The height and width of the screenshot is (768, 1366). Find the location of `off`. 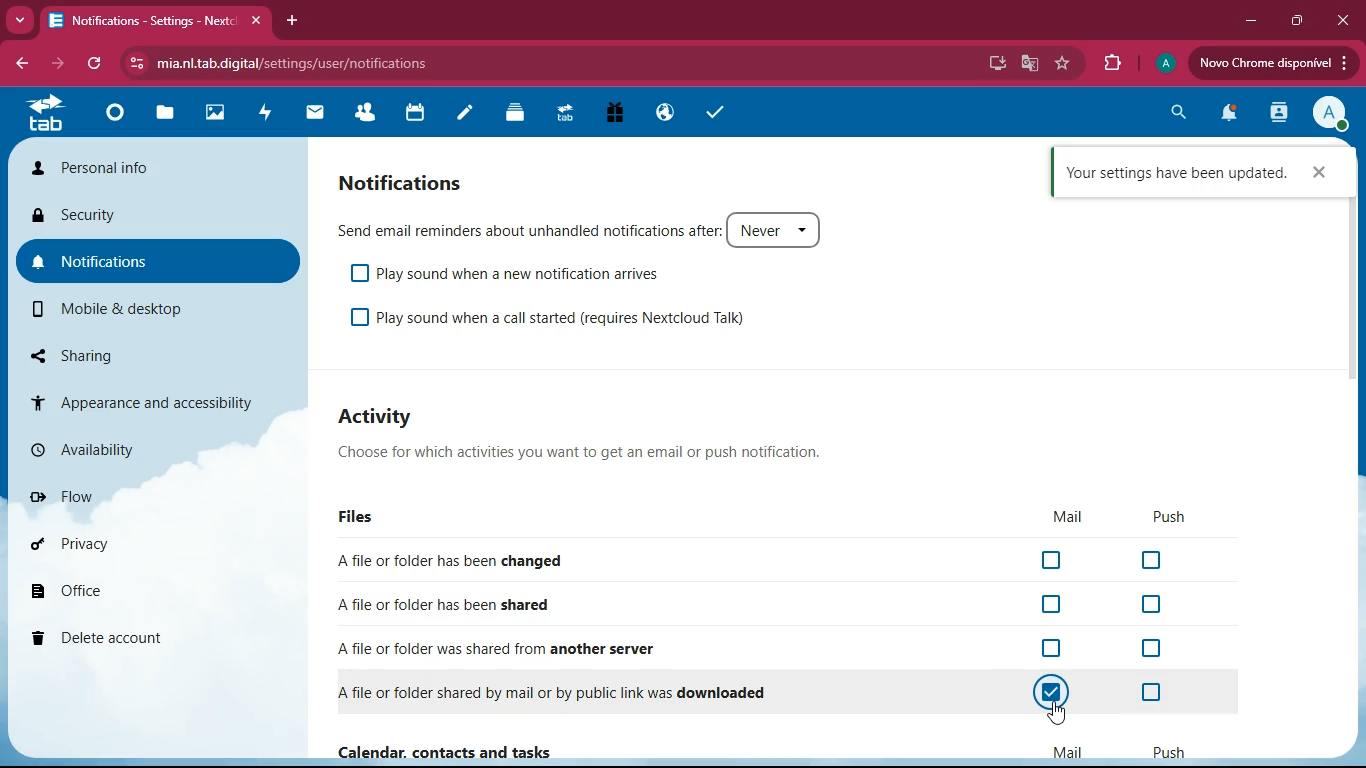

off is located at coordinates (1053, 561).